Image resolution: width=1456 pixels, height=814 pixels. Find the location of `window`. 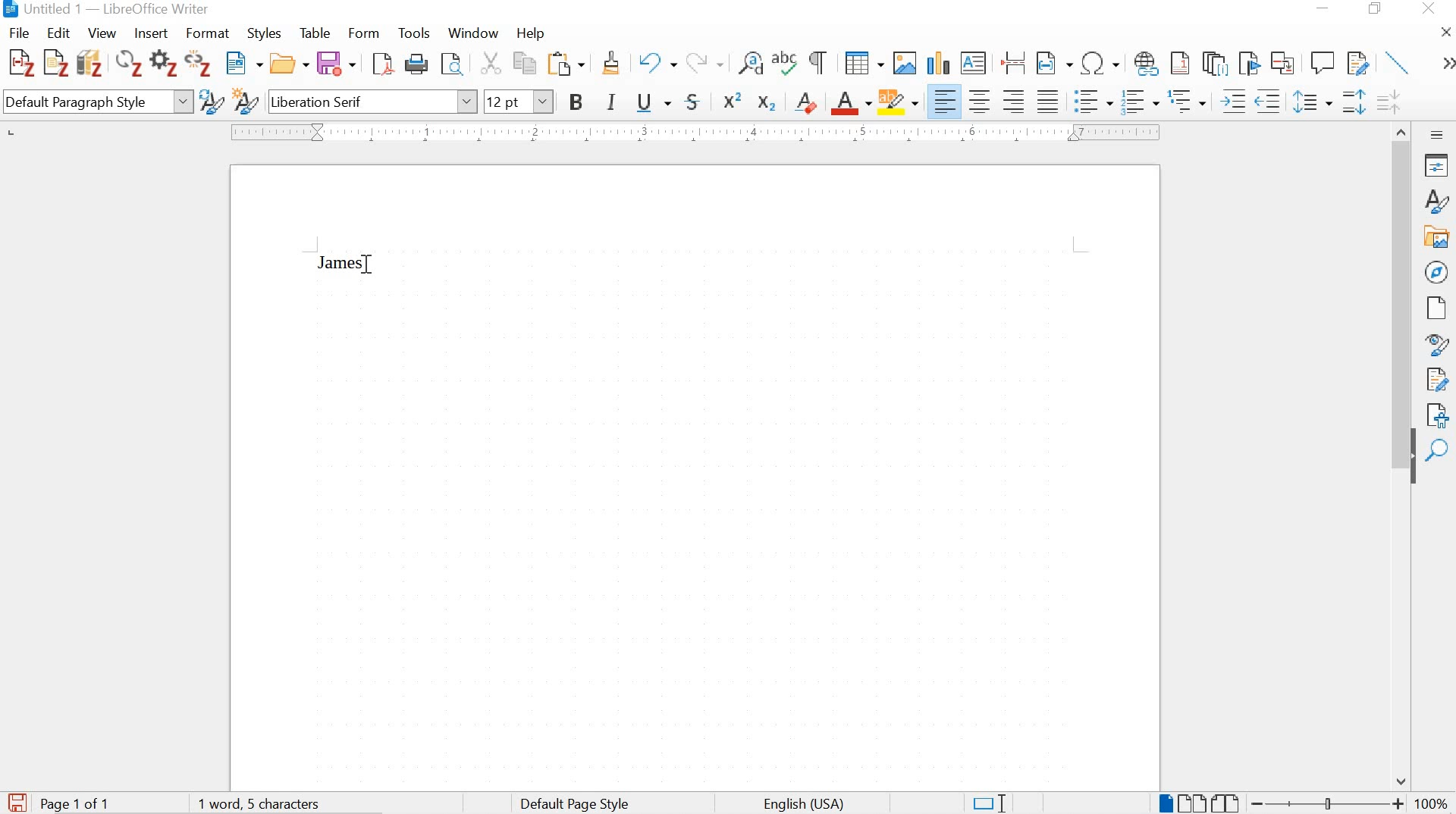

window is located at coordinates (472, 35).